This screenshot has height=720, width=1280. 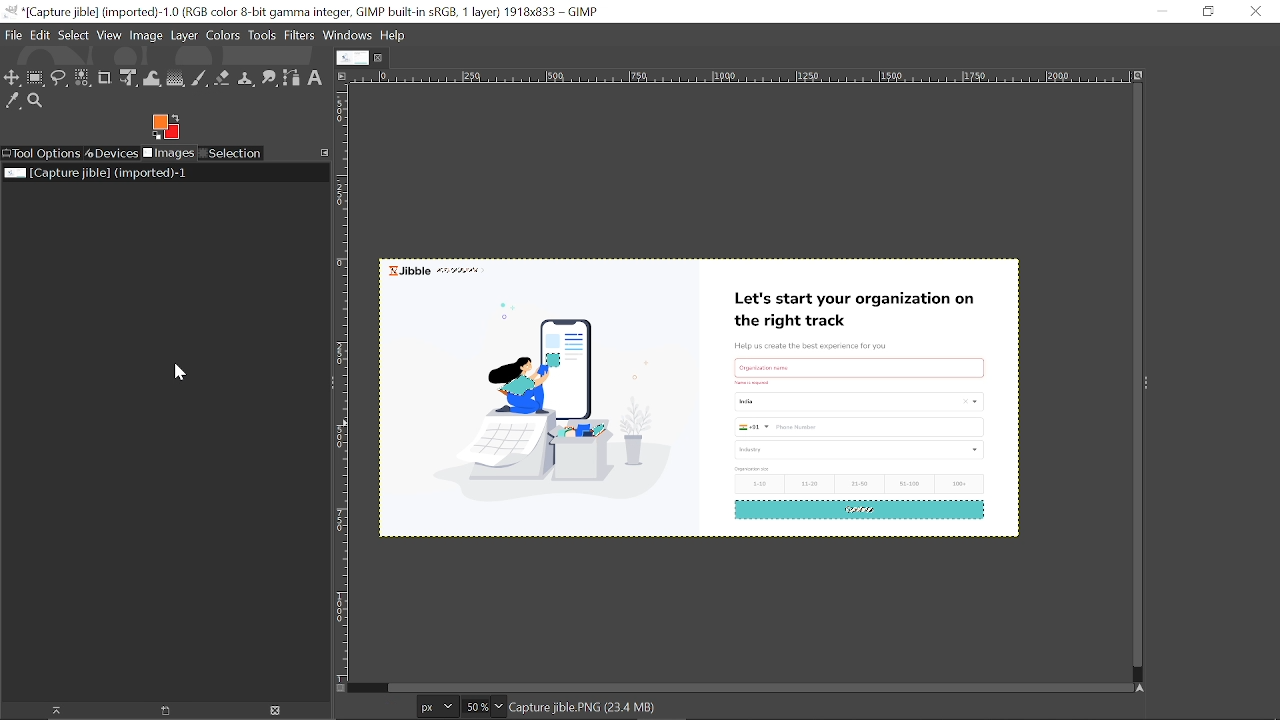 What do you see at coordinates (245, 78) in the screenshot?
I see `Clone tool` at bounding box center [245, 78].